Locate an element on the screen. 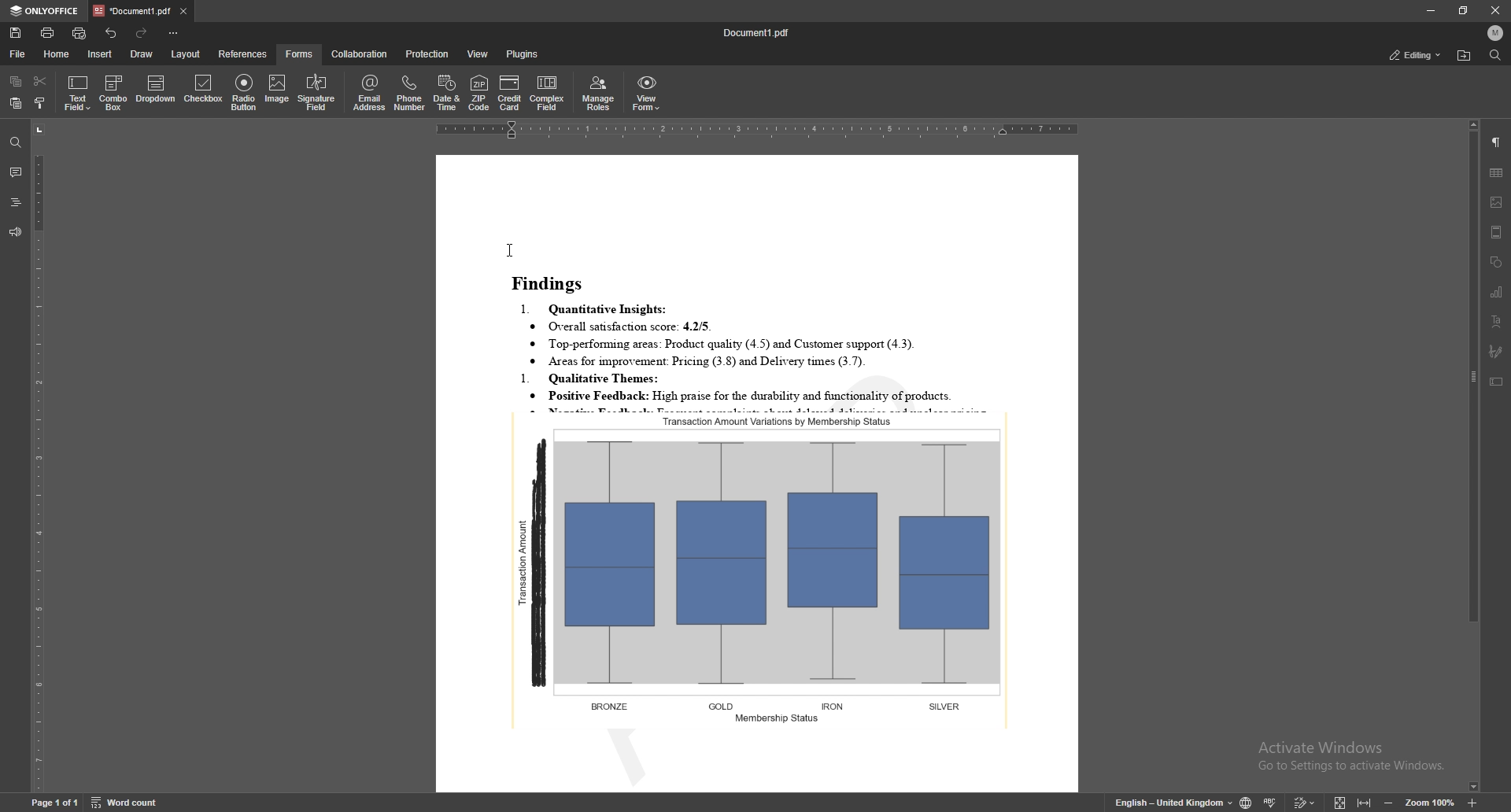 This screenshot has height=812, width=1511. close tab is located at coordinates (183, 13).